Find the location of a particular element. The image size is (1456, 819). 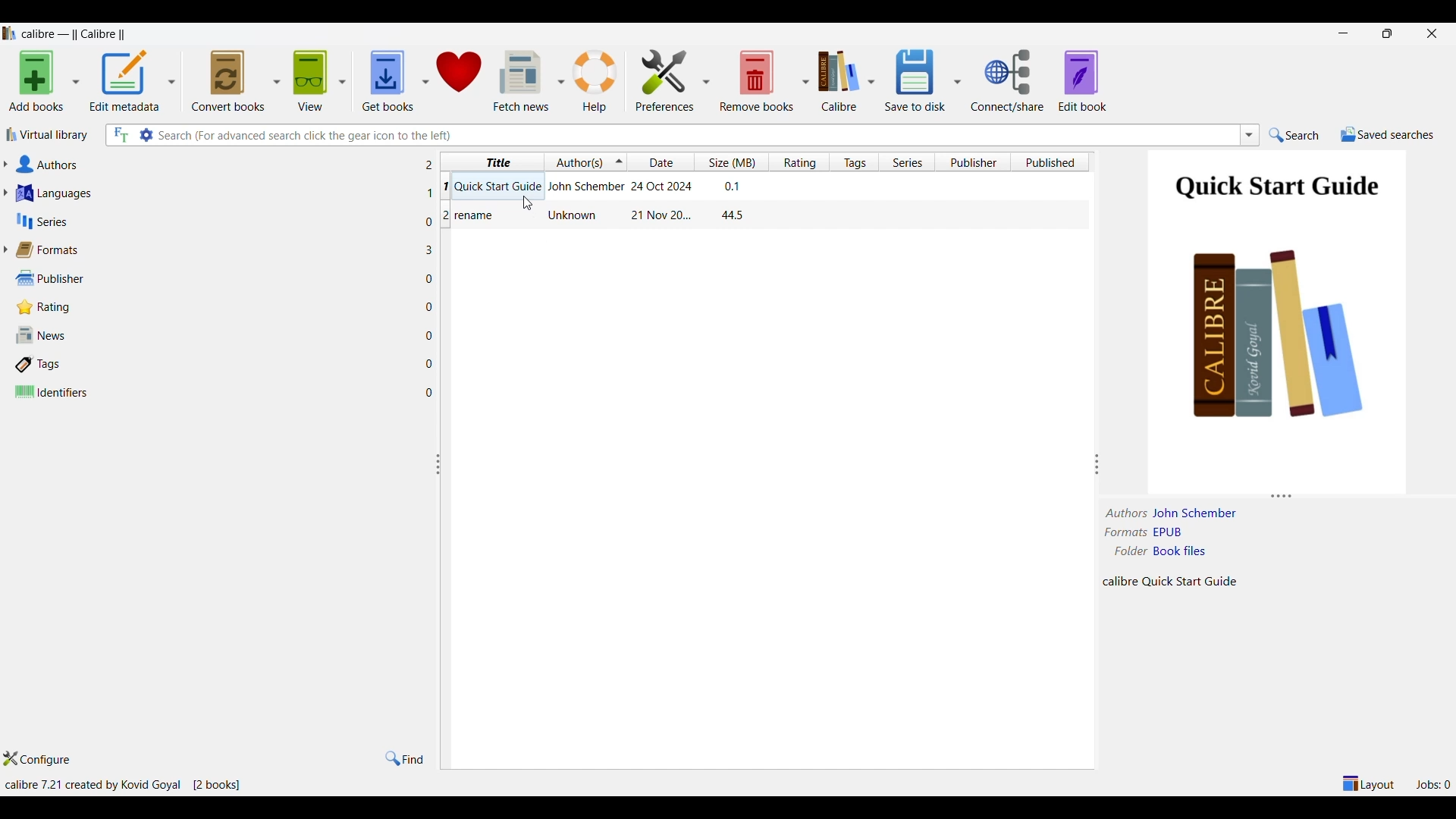

authors is located at coordinates (1128, 513).